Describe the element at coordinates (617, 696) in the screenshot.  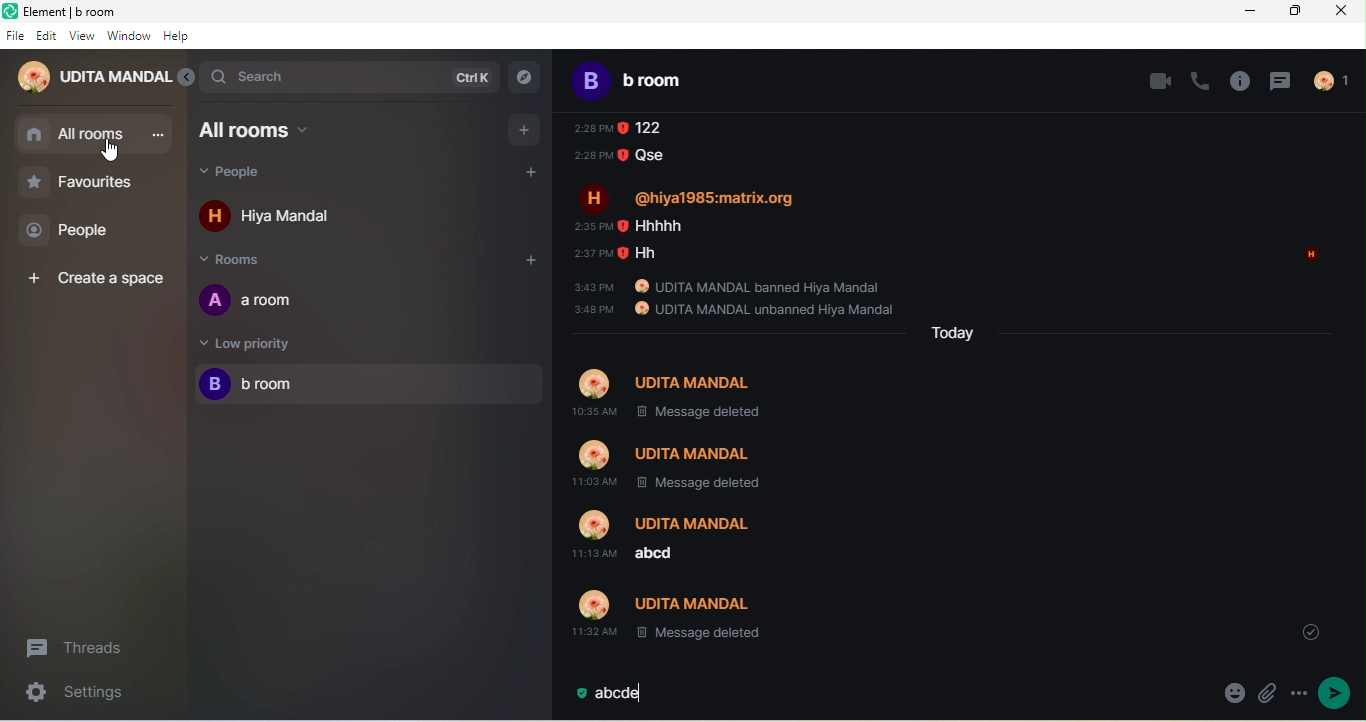
I see `abcde` at that location.